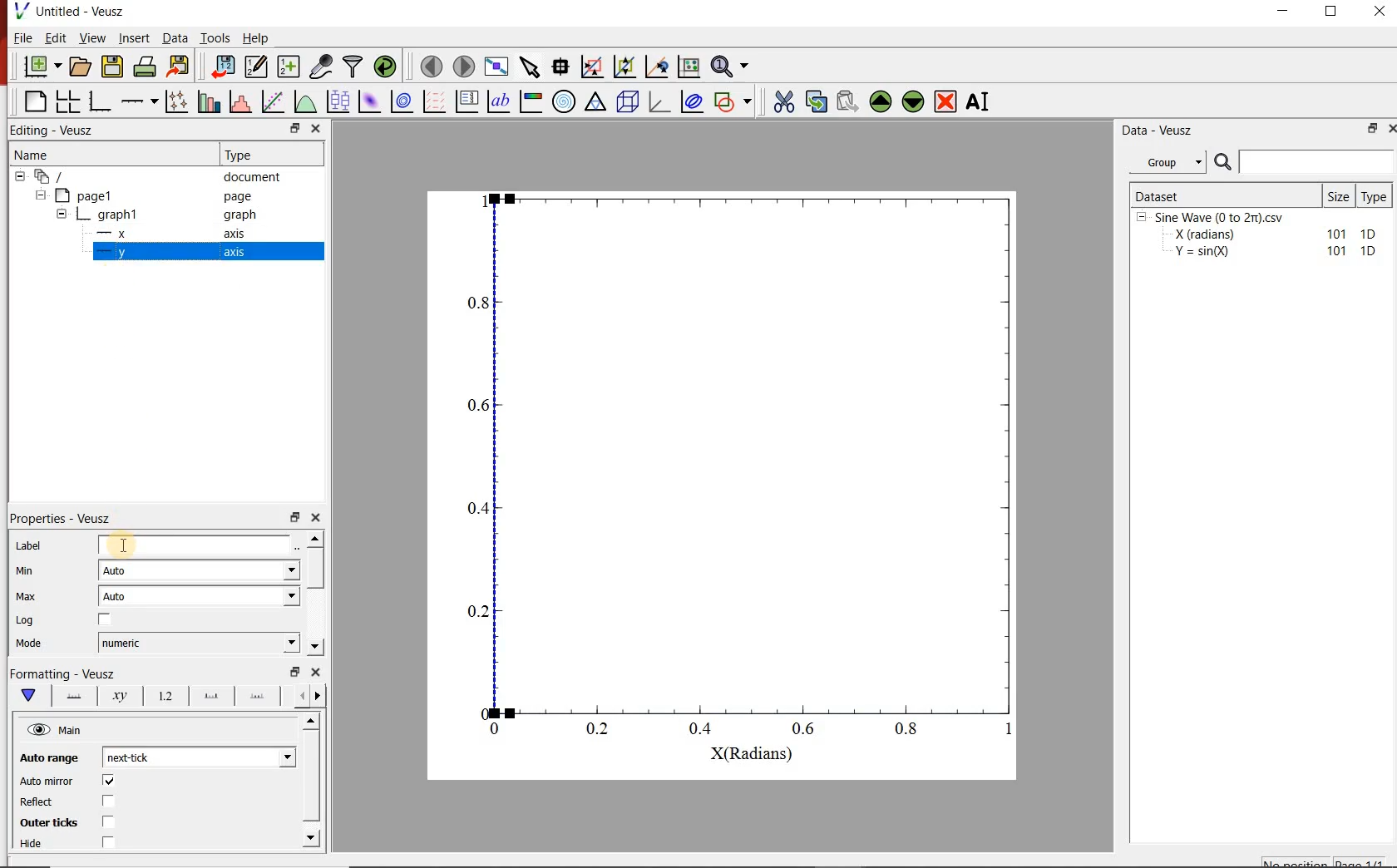 This screenshot has width=1397, height=868. What do you see at coordinates (211, 100) in the screenshot?
I see `plot bar charts` at bounding box center [211, 100].